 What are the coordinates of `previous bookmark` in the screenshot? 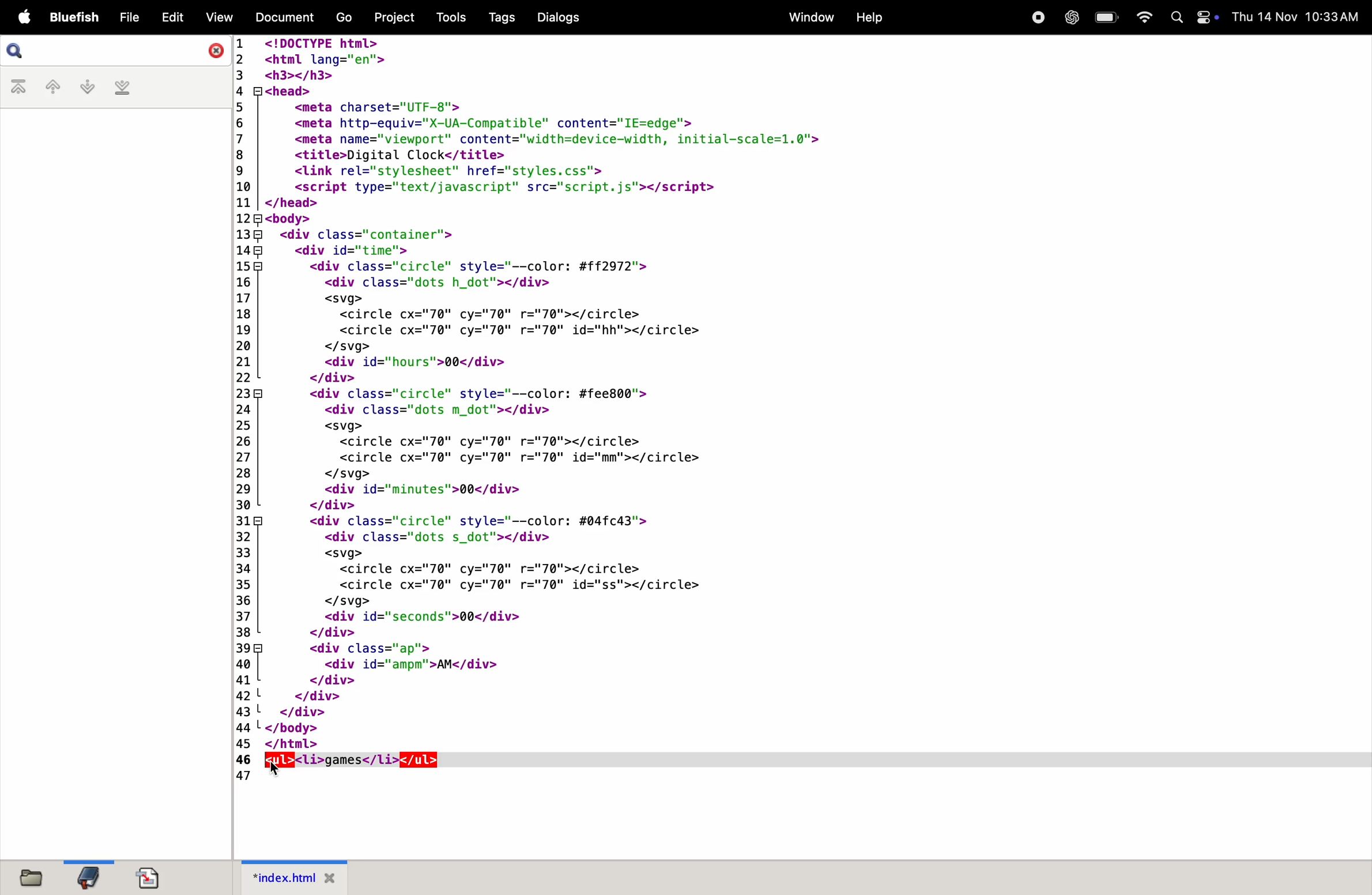 It's located at (49, 87).